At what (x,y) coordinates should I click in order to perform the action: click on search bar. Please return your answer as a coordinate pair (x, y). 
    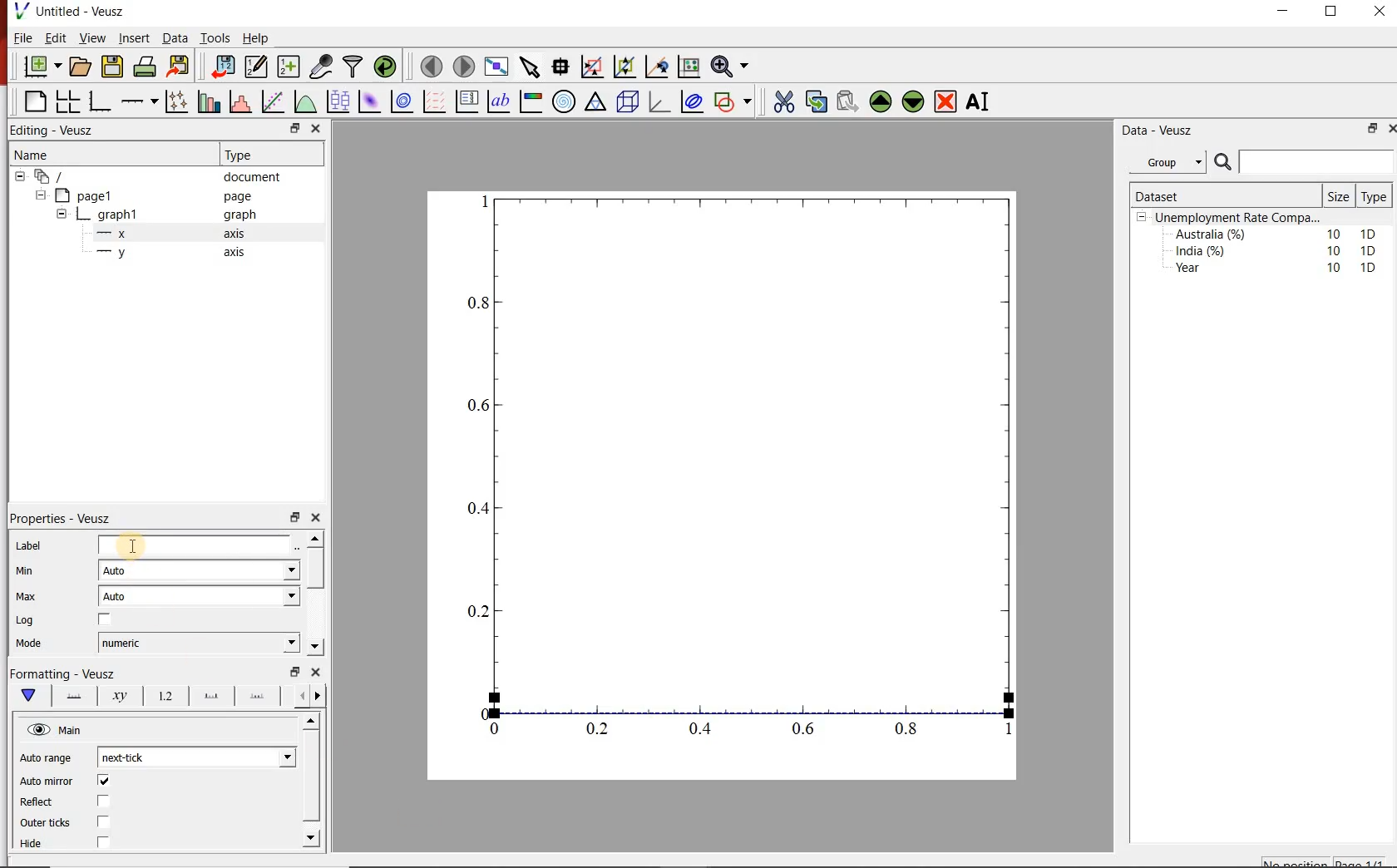
    Looking at the image, I should click on (1302, 162).